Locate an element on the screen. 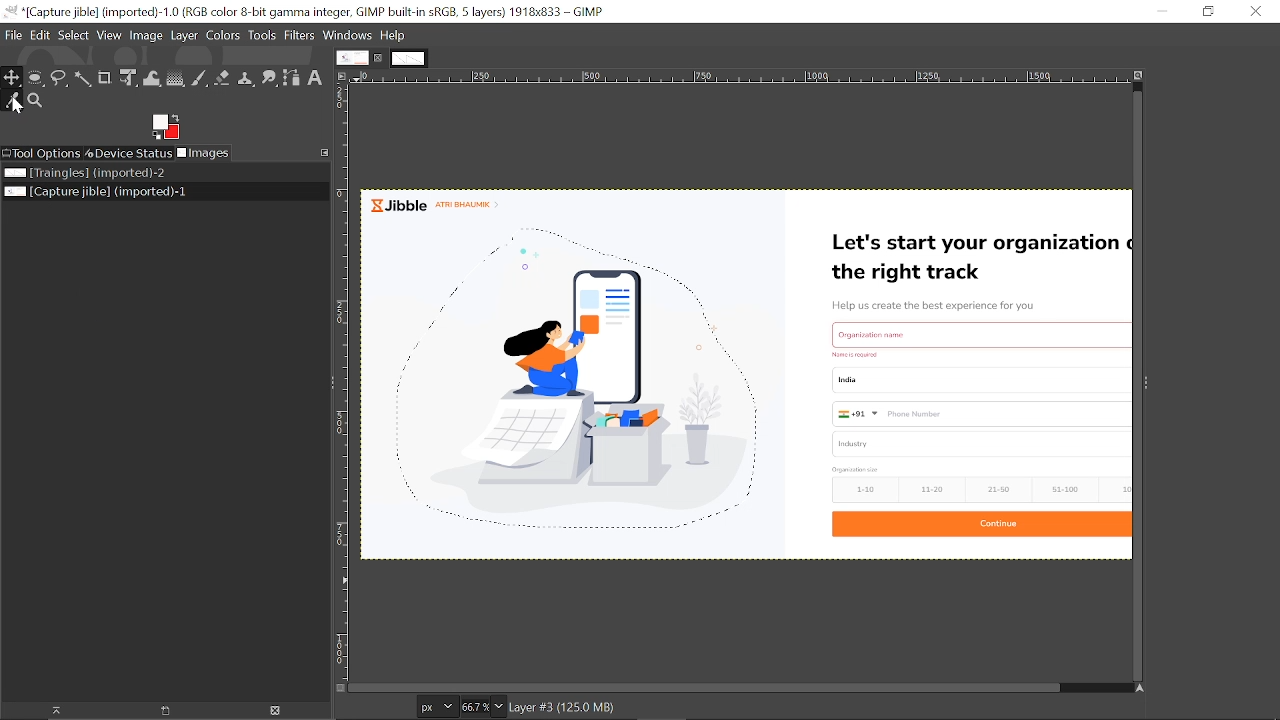  Foreground tool is located at coordinates (166, 127).